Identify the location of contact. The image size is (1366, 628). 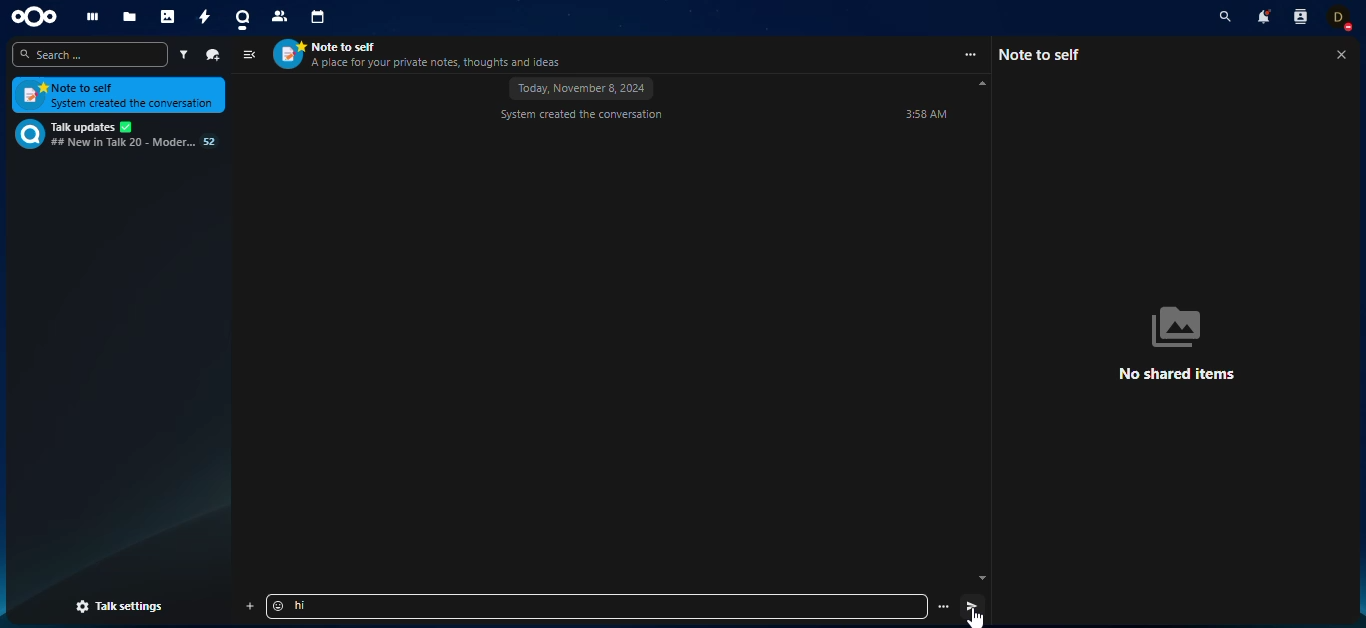
(422, 54).